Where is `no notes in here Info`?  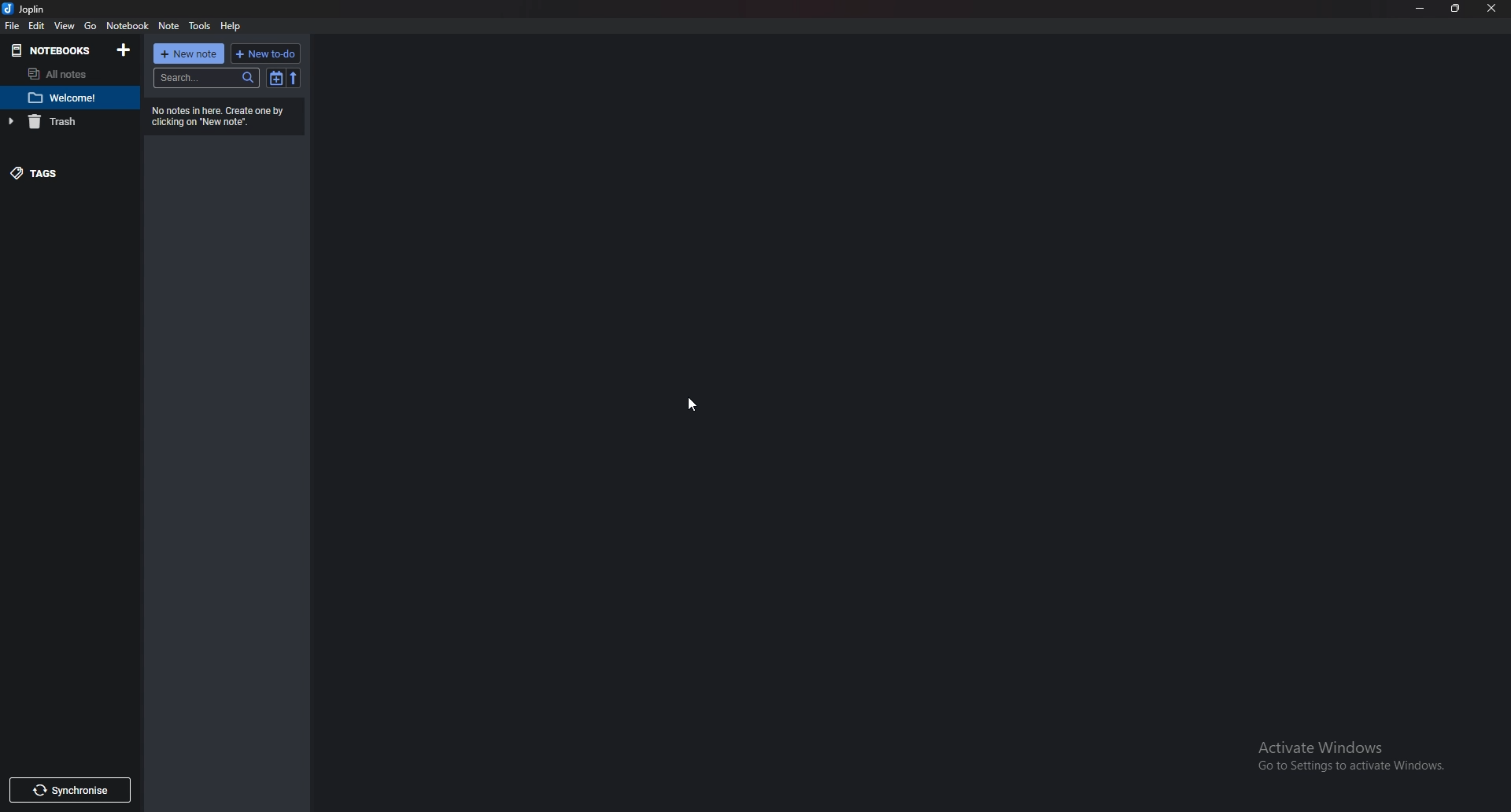
no notes in here Info is located at coordinates (221, 116).